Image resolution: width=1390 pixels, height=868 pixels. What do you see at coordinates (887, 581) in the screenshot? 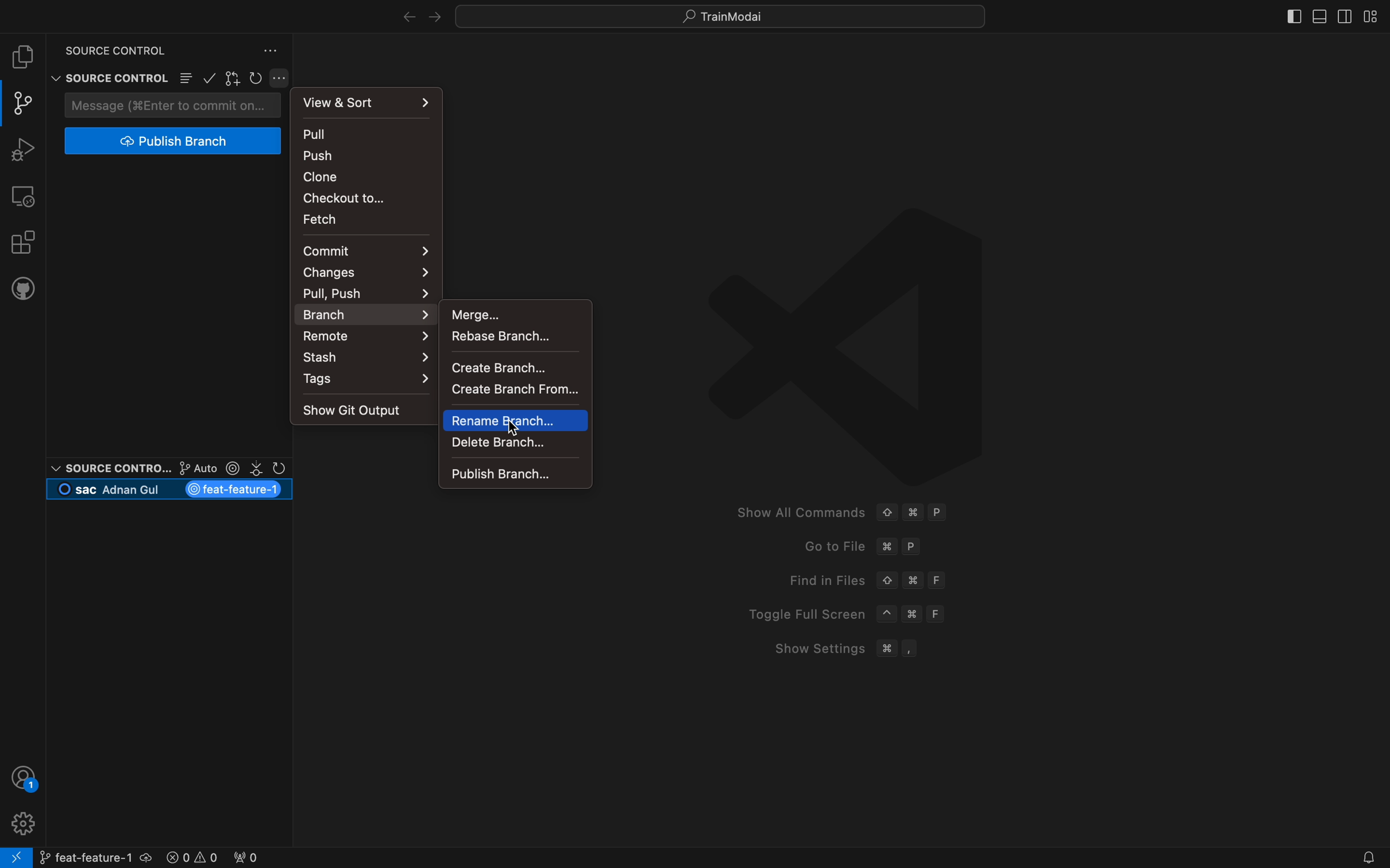
I see `Up` at bounding box center [887, 581].